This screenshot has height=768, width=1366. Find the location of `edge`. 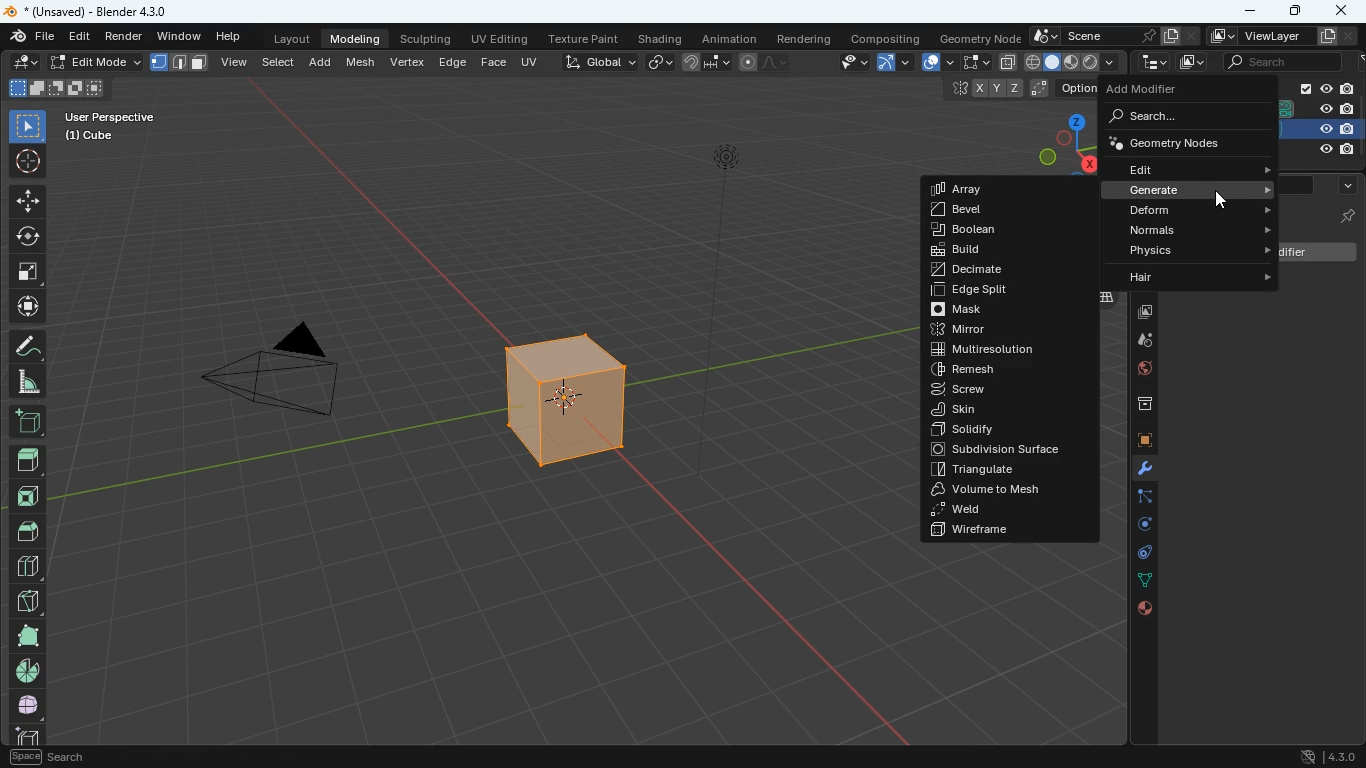

edge is located at coordinates (1141, 500).